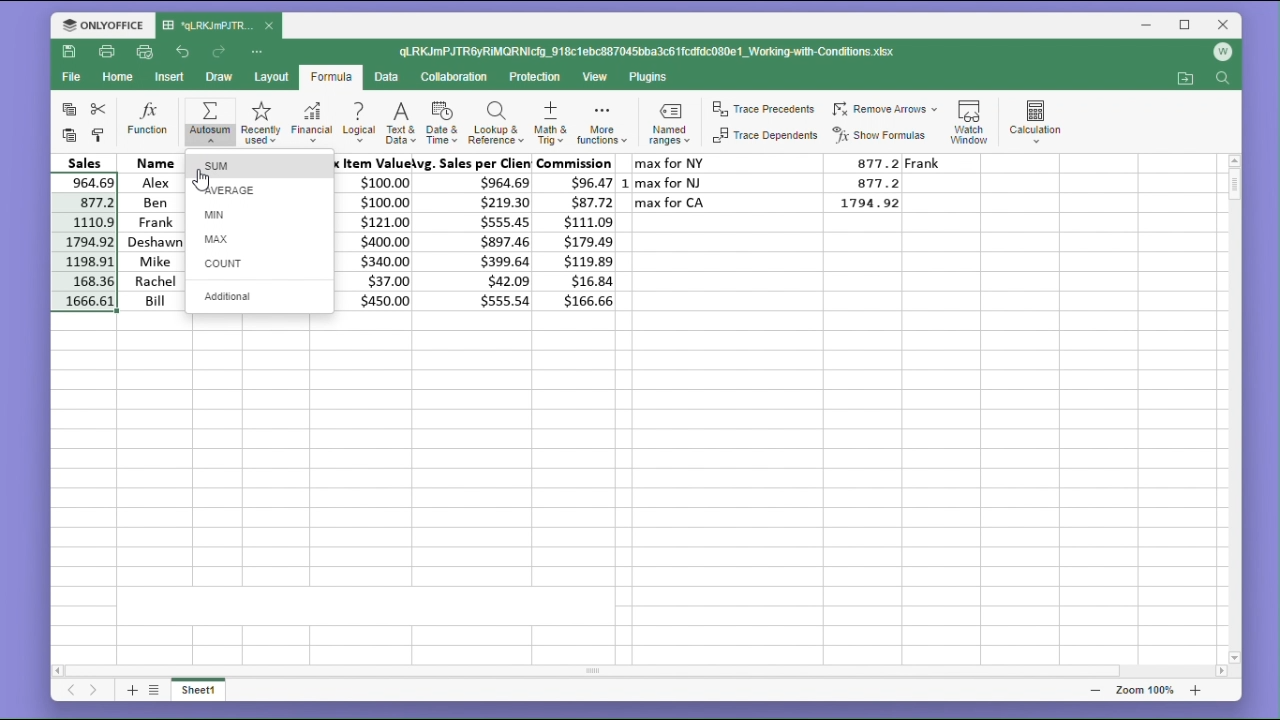 The image size is (1280, 720). I want to click on open file location, so click(1185, 79).